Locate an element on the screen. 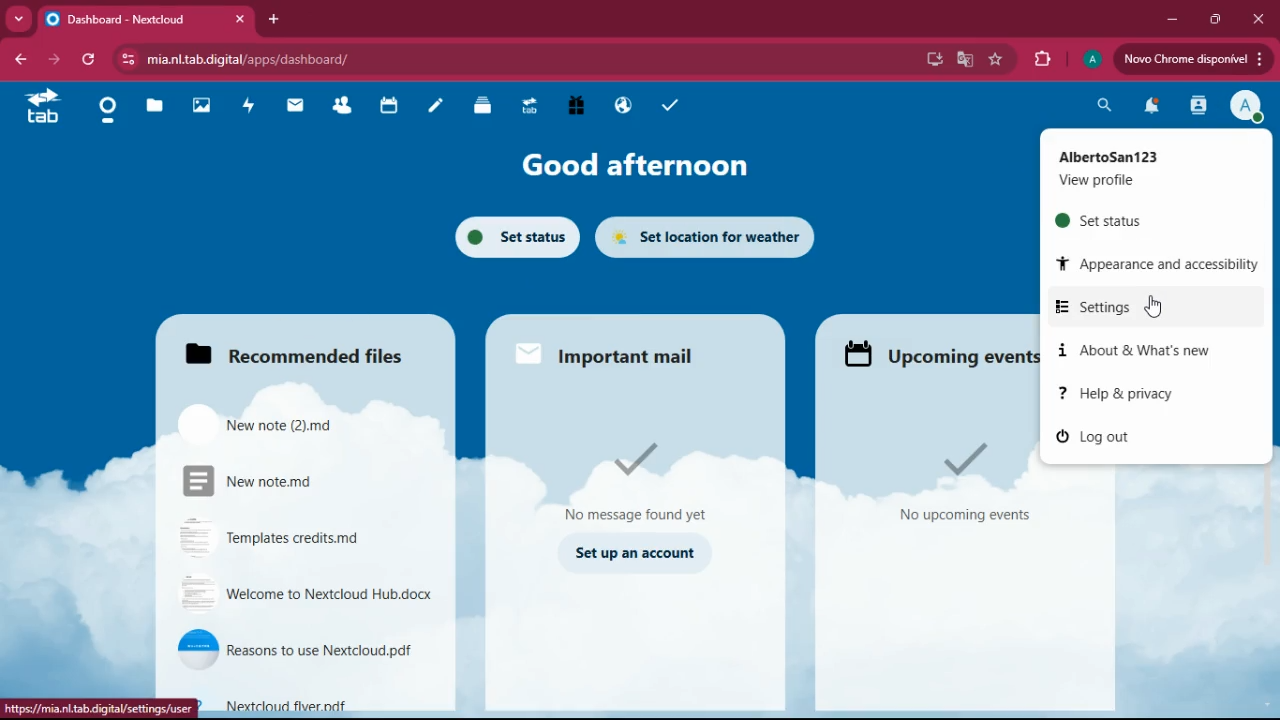 The image size is (1280, 720). good afternoon is located at coordinates (634, 165).